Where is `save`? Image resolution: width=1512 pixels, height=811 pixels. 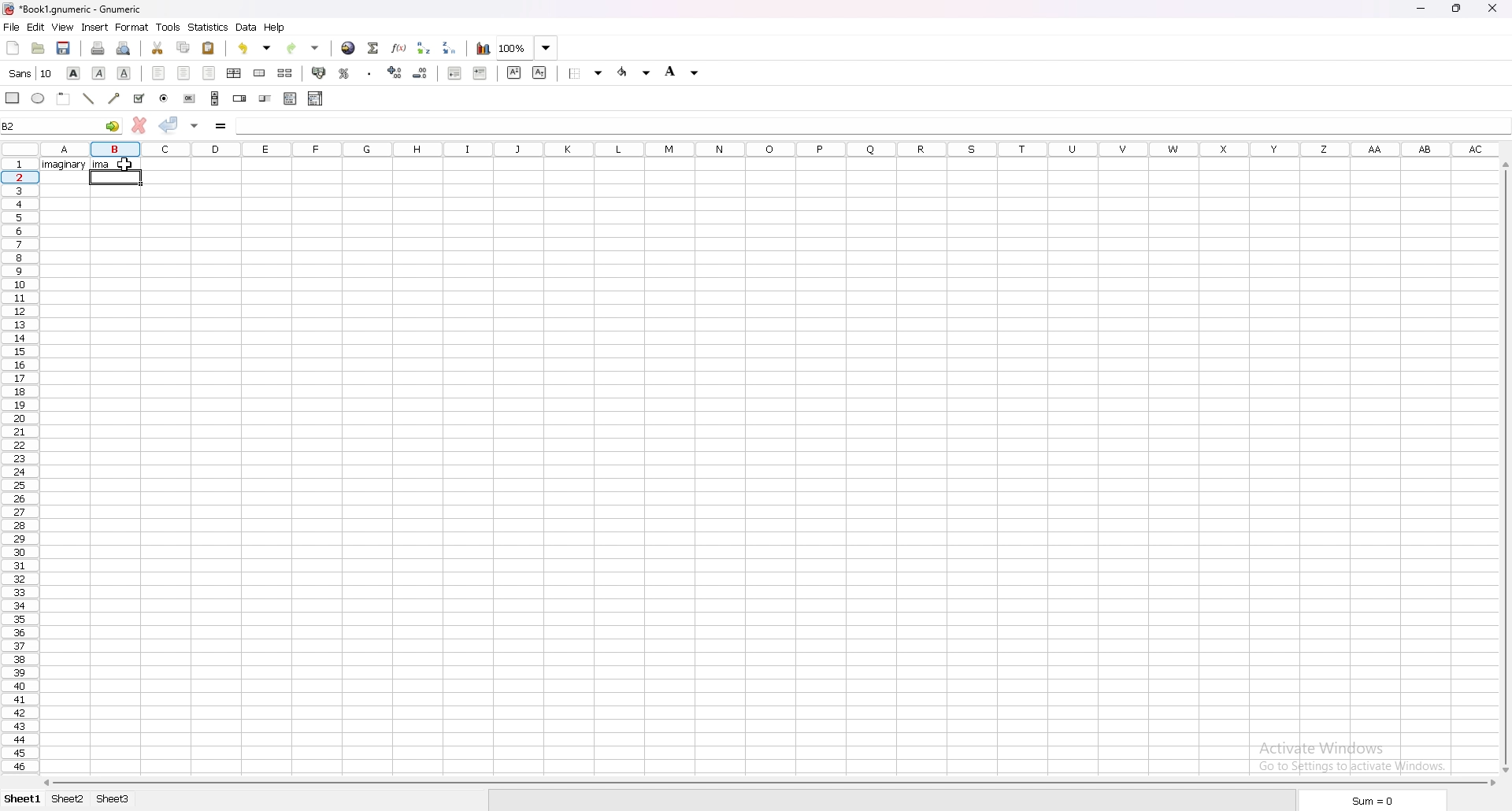 save is located at coordinates (64, 49).